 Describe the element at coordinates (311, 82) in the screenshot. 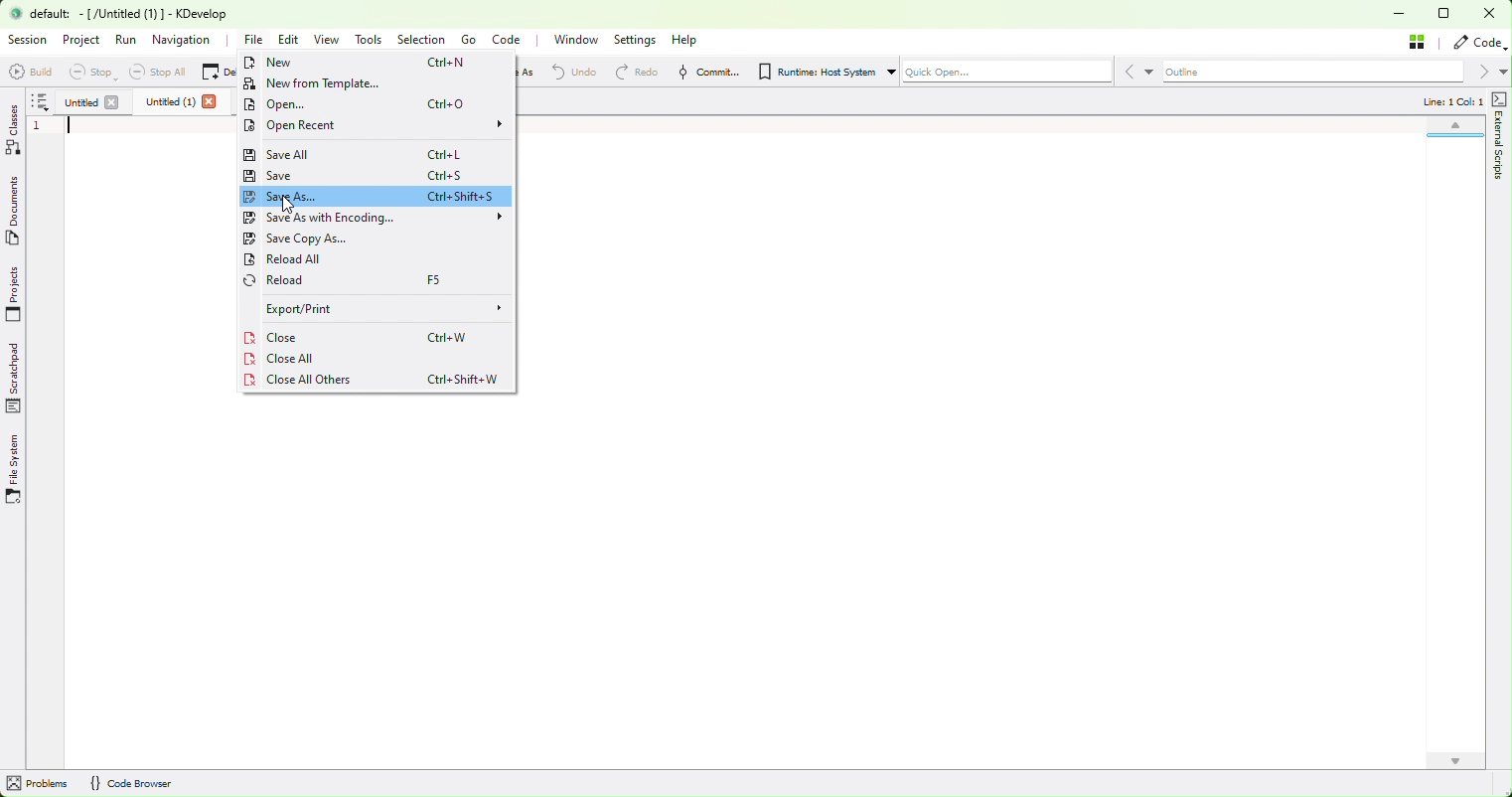

I see `New From template` at that location.